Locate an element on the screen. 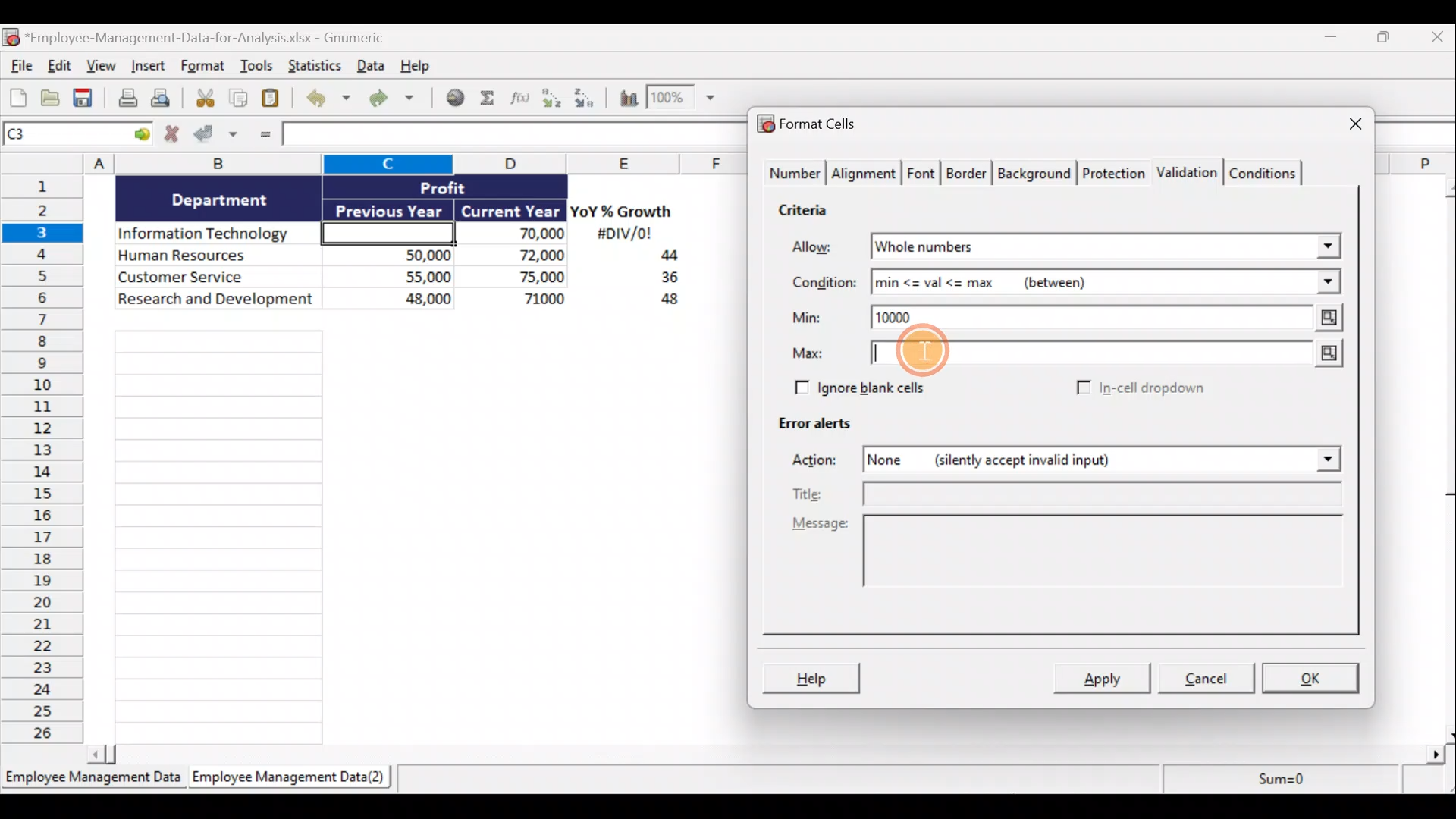 The image size is (1456, 819). Profit is located at coordinates (468, 187).